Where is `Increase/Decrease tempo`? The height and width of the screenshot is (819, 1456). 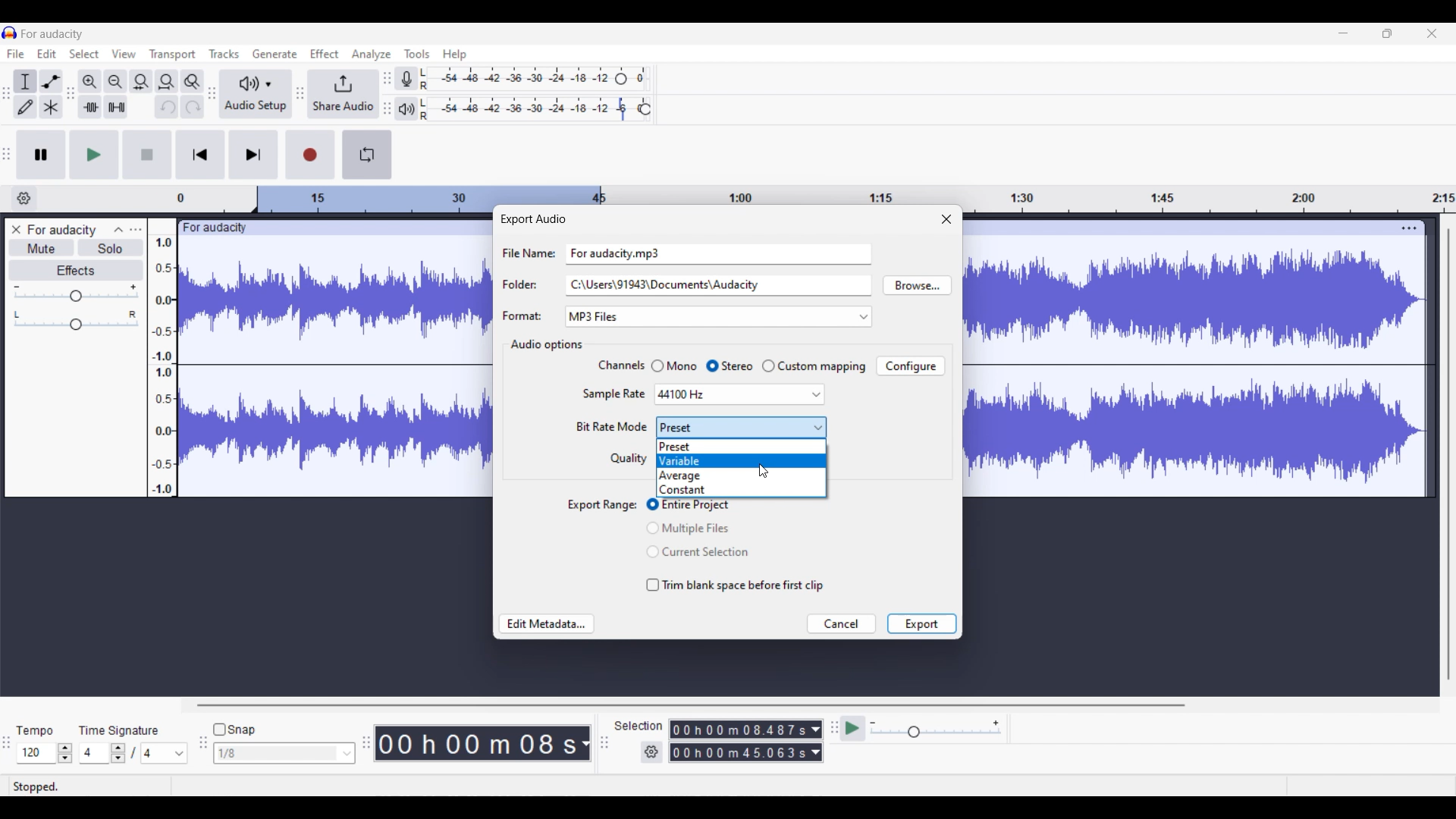
Increase/Decrease tempo is located at coordinates (65, 753).